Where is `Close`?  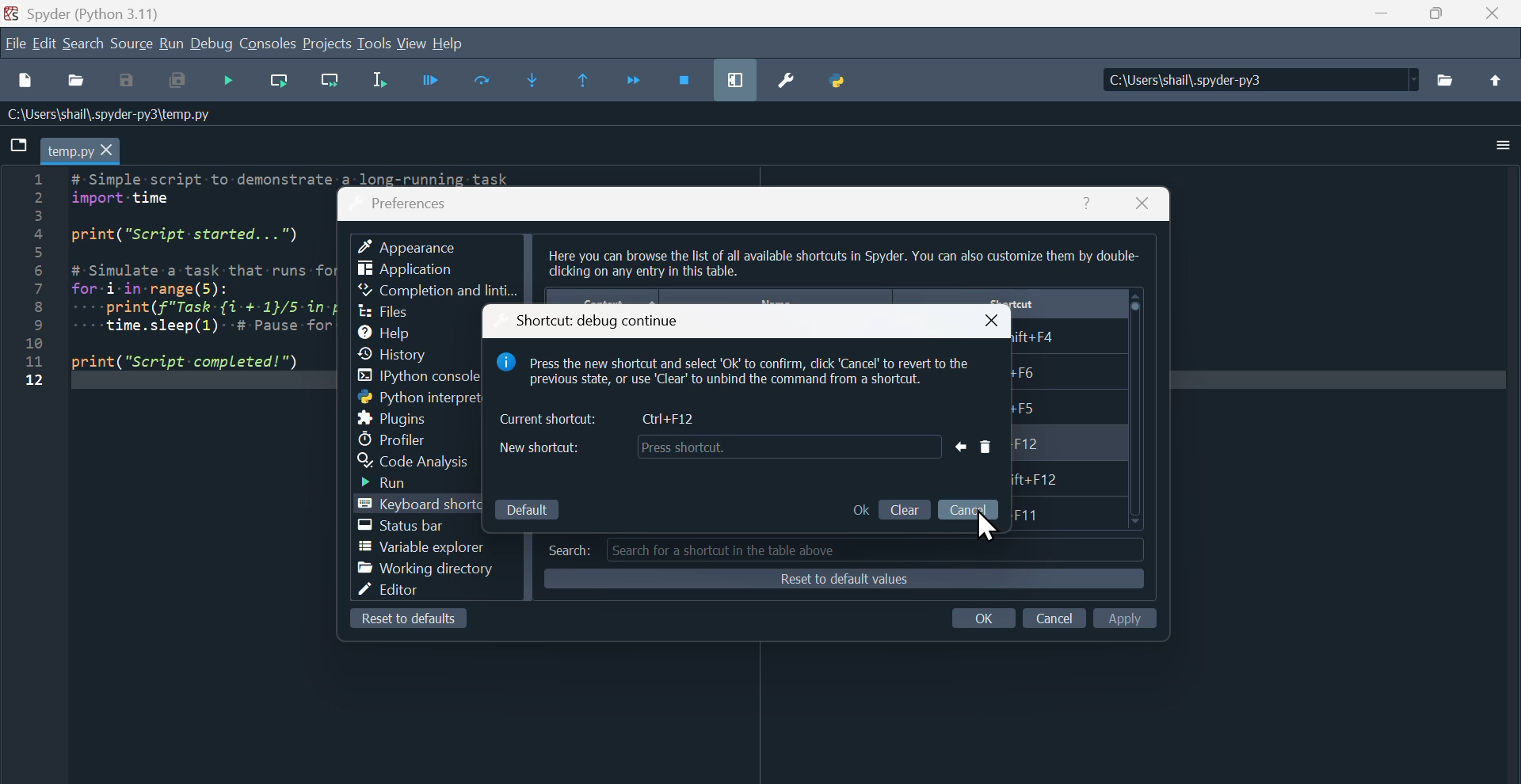 Close is located at coordinates (1146, 203).